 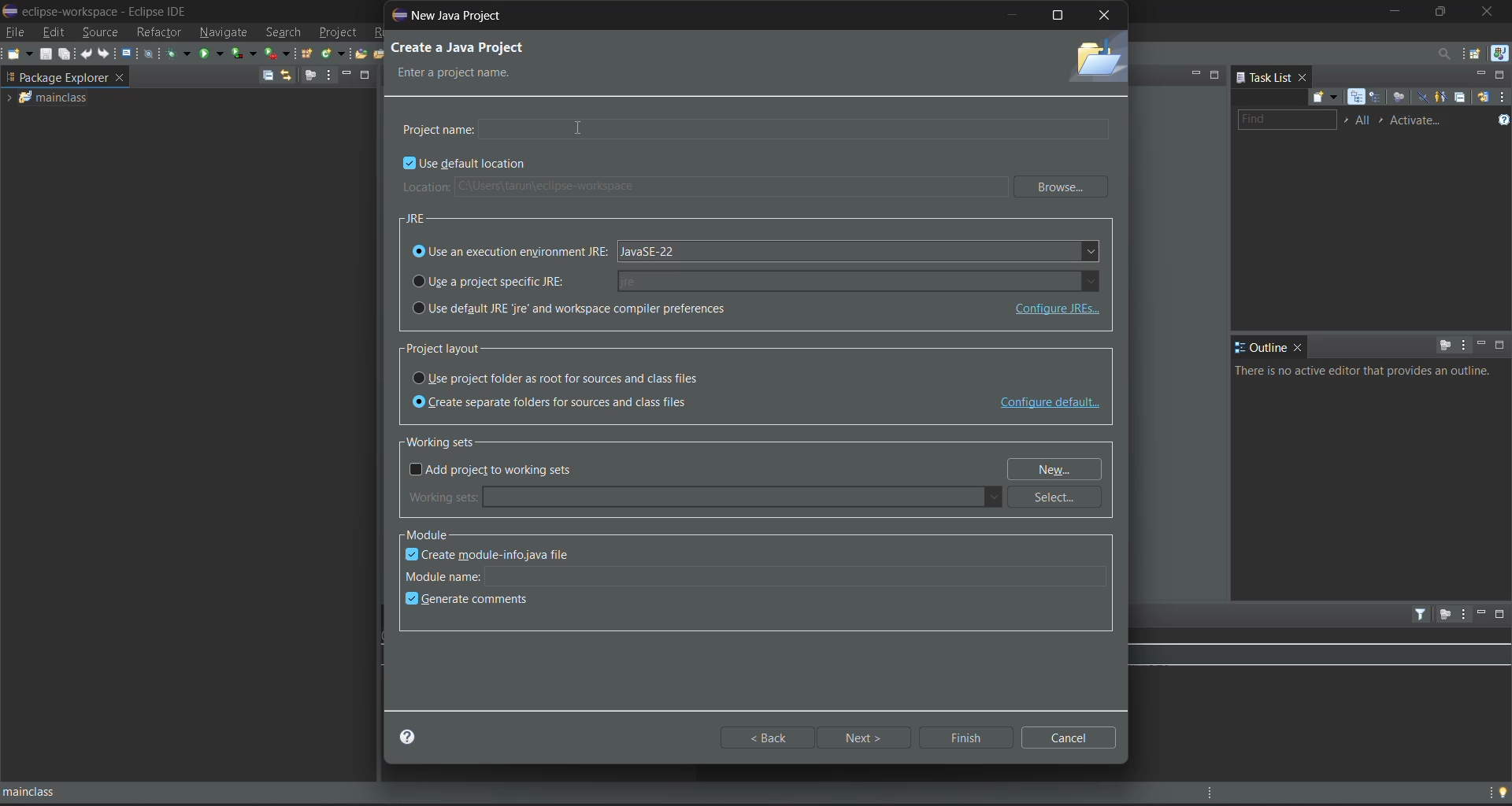 I want to click on module, so click(x=435, y=534).